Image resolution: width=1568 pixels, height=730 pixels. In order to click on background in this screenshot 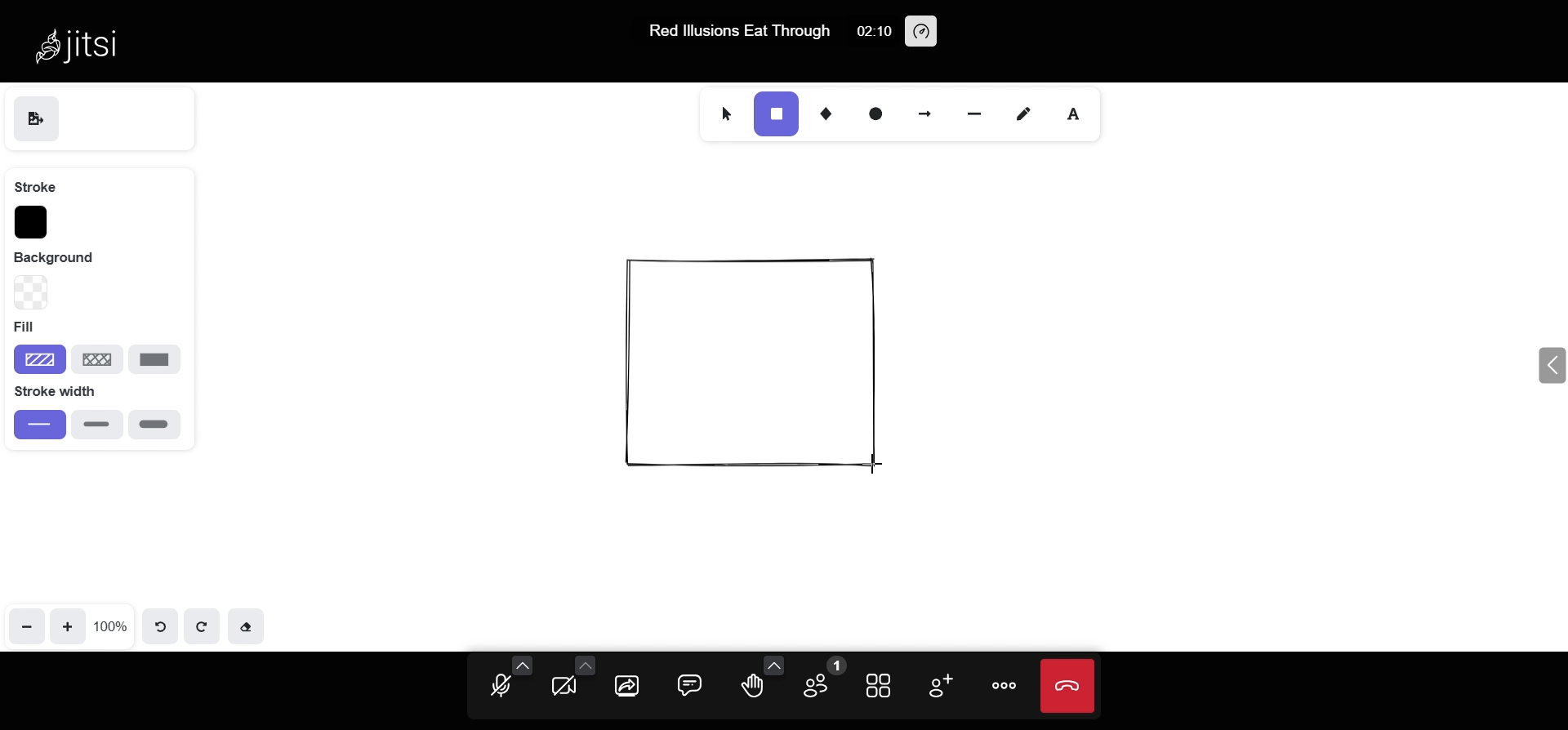, I will do `click(67, 256)`.